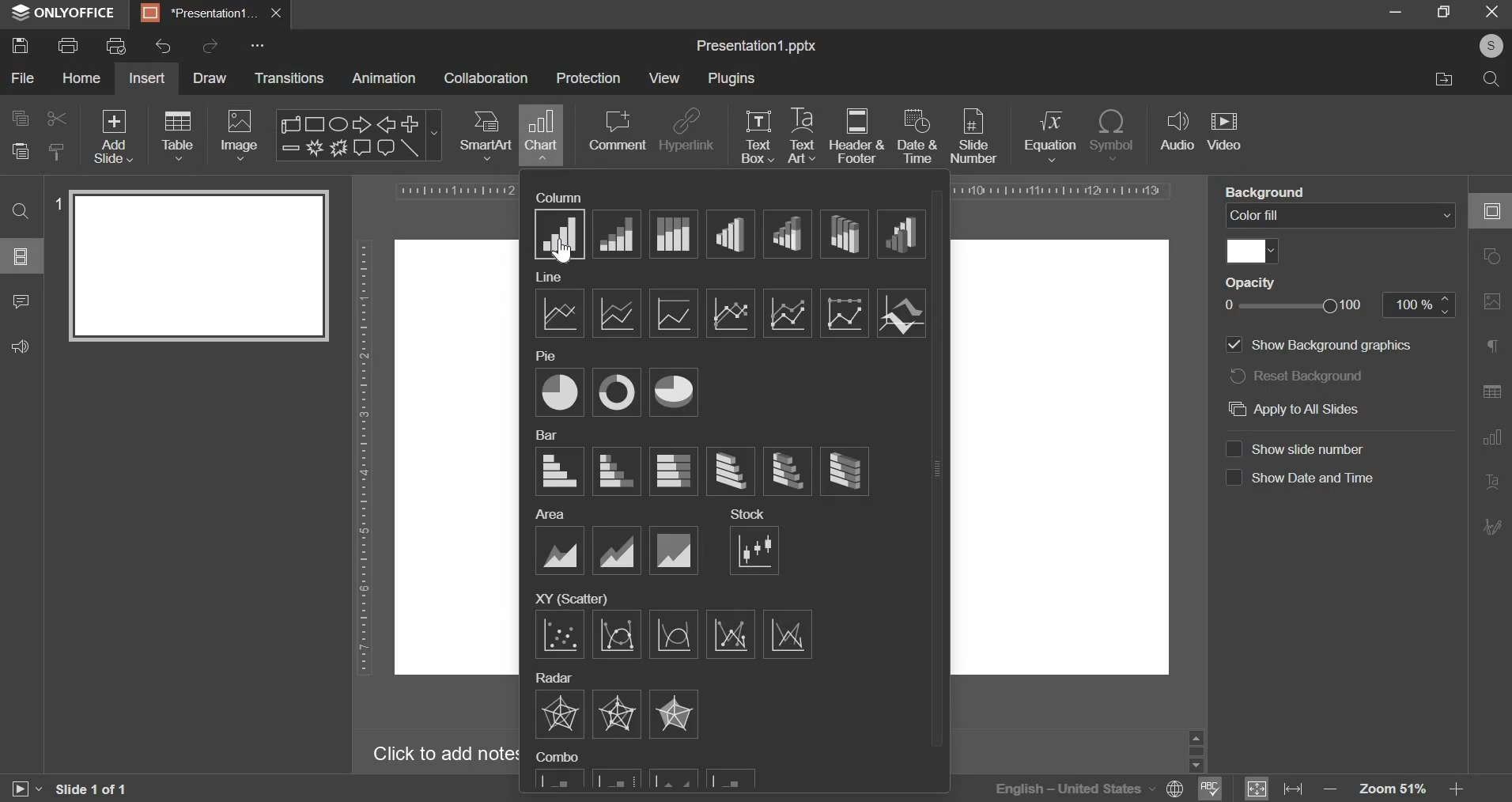 The image size is (1512, 802). I want to click on opacity, so click(1254, 283).